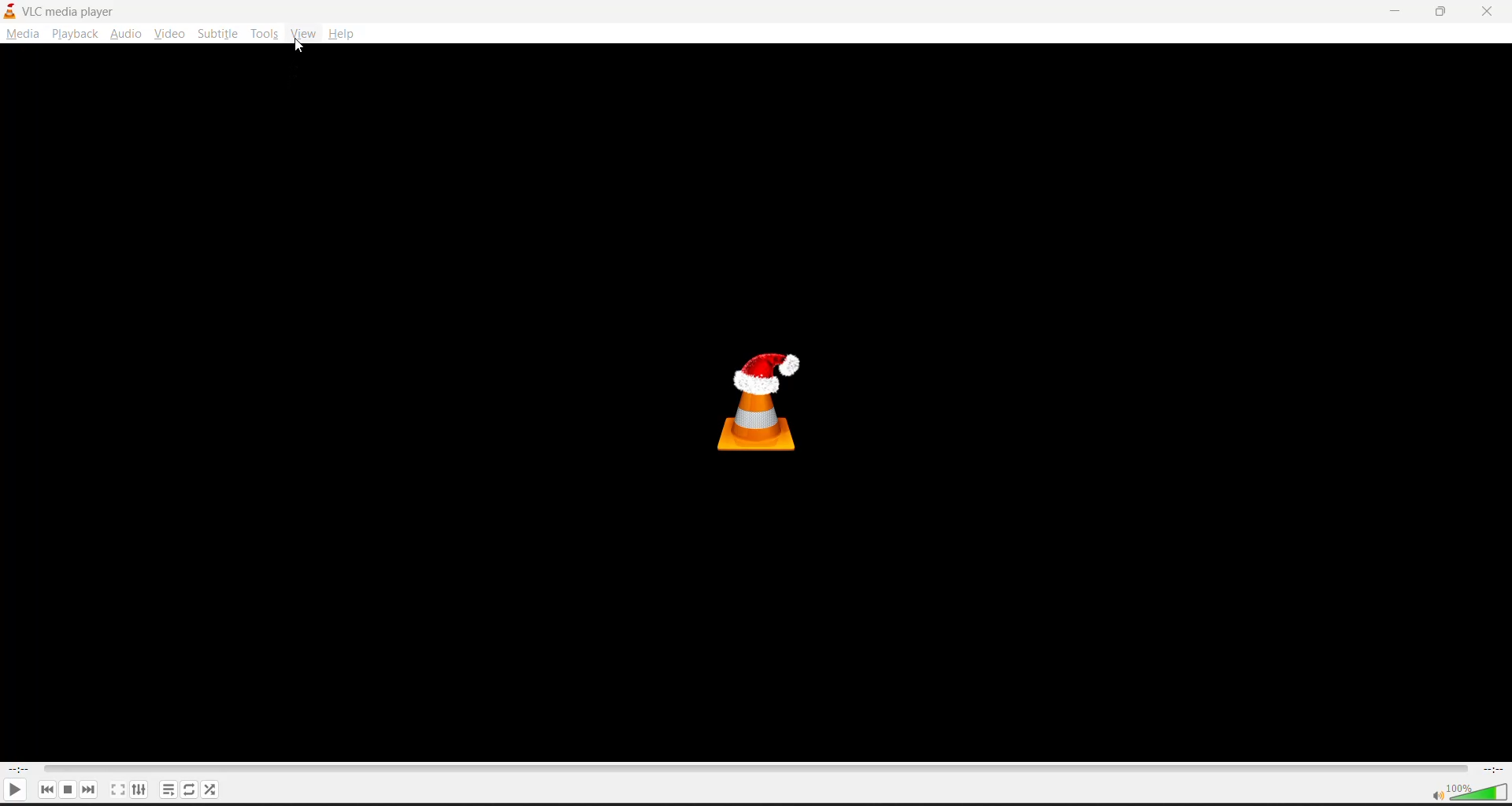 The width and height of the screenshot is (1512, 806). I want to click on total track time, so click(1494, 771).